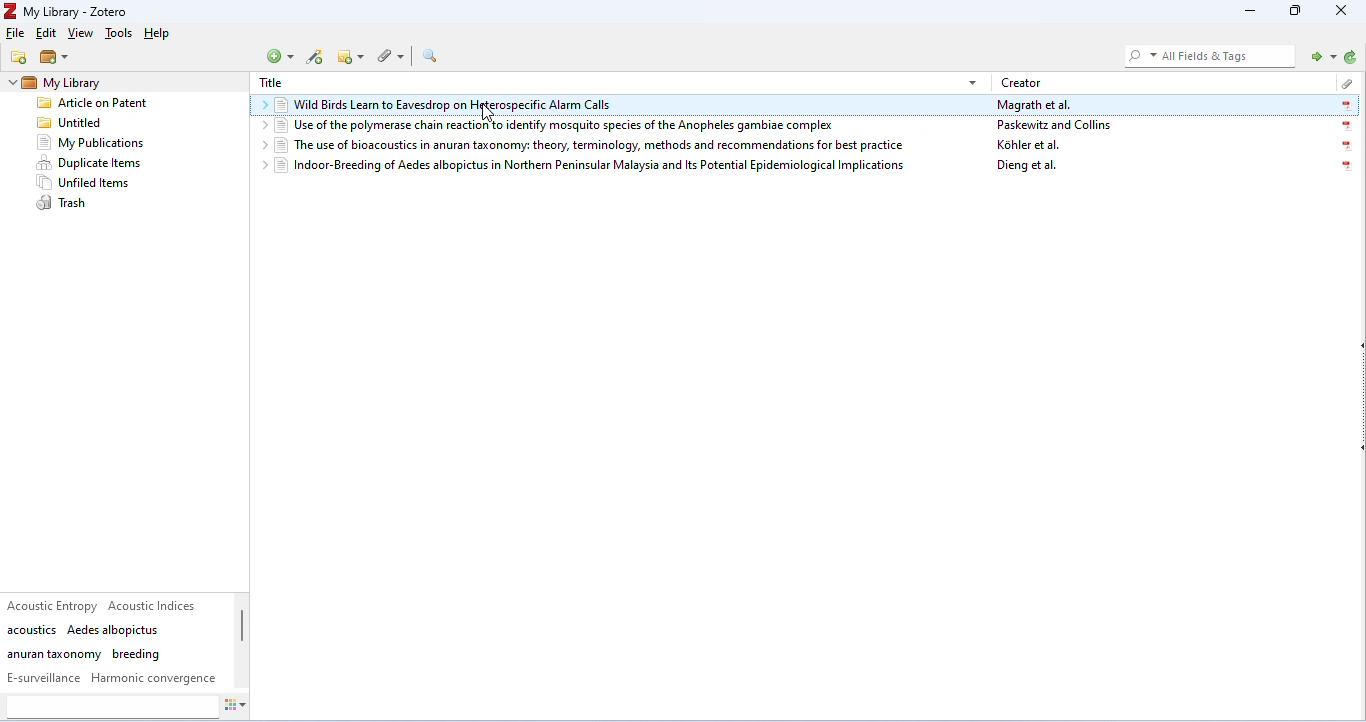 This screenshot has height=722, width=1366. Describe the element at coordinates (591, 167) in the screenshot. I see `Indoor-Breeding of Aedes albopictus in Northern Peninsular Malaysia and Its Potential Epidemiological Implications` at that location.